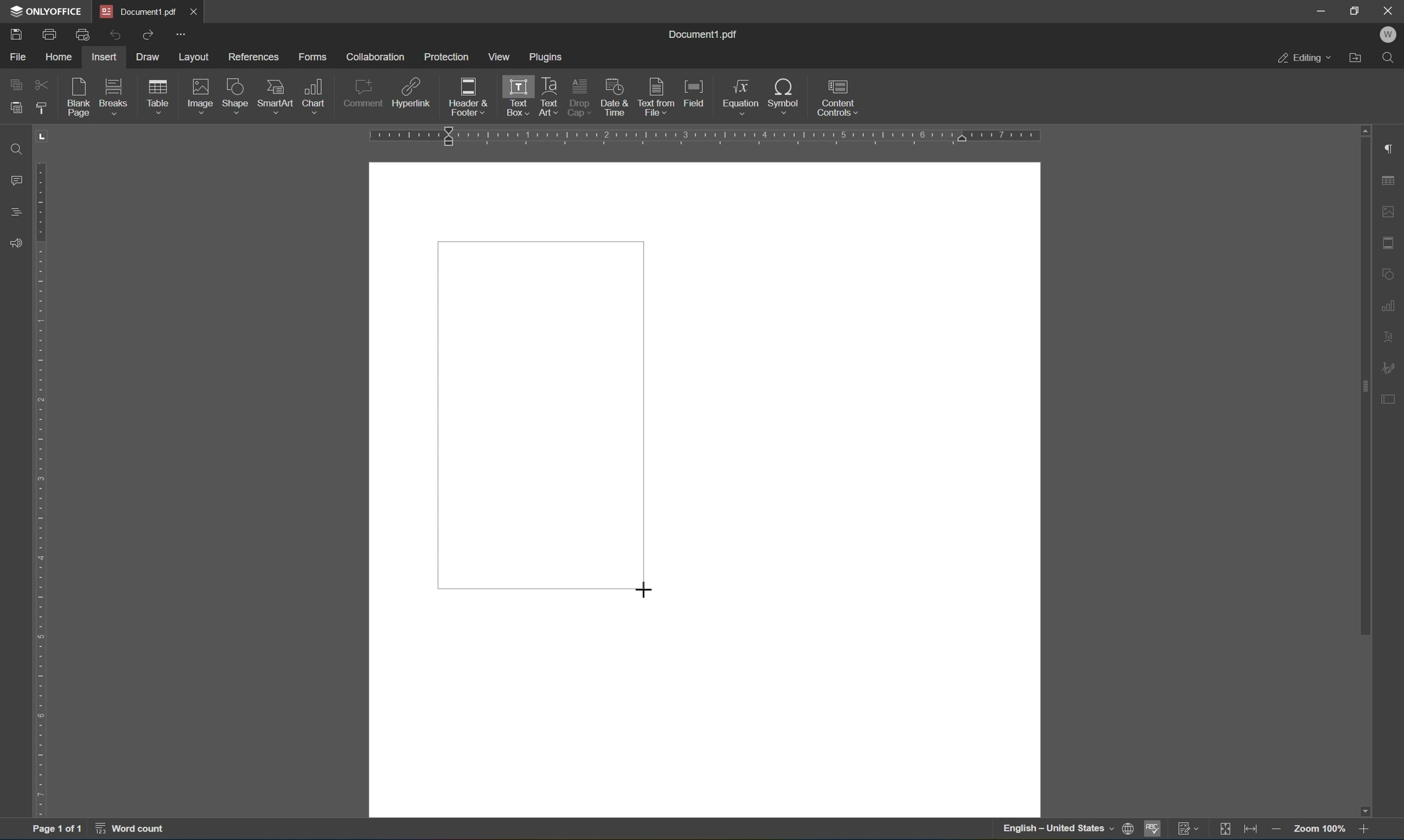 This screenshot has width=1404, height=840. What do you see at coordinates (841, 97) in the screenshot?
I see `content controls` at bounding box center [841, 97].